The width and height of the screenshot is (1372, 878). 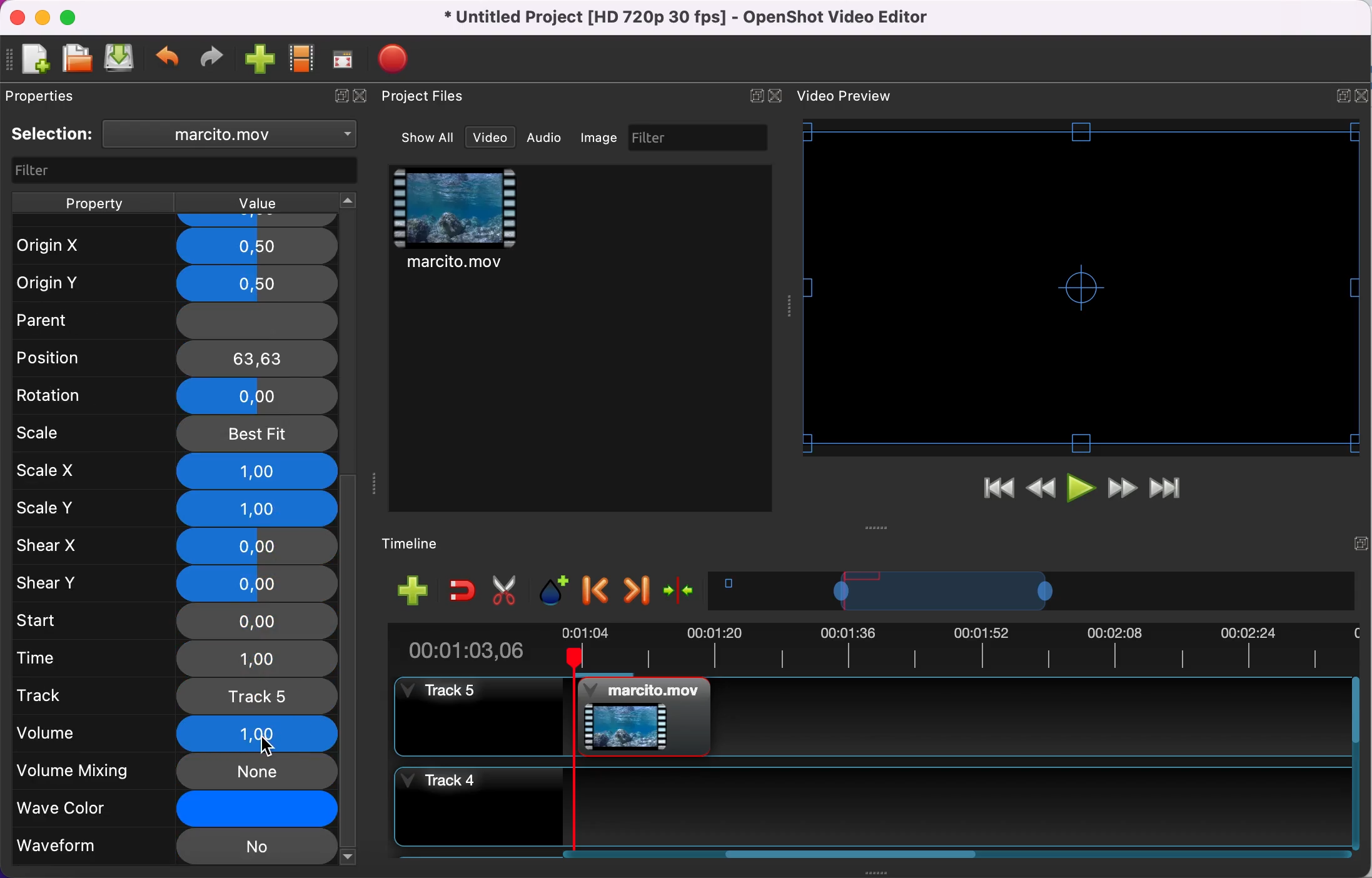 What do you see at coordinates (180, 510) in the screenshot?
I see `scale y 1` at bounding box center [180, 510].